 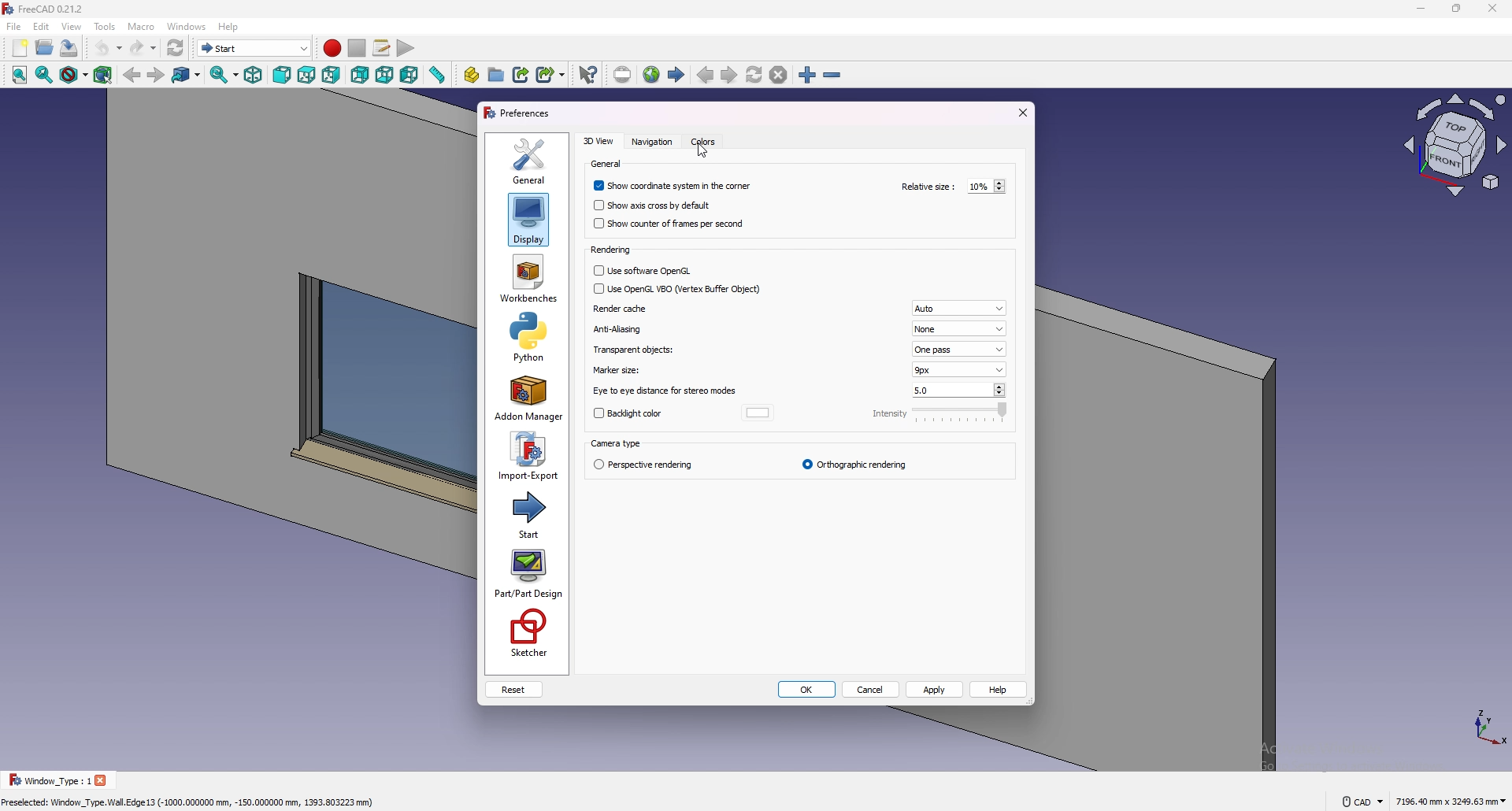 I want to click on navigation, so click(x=650, y=143).